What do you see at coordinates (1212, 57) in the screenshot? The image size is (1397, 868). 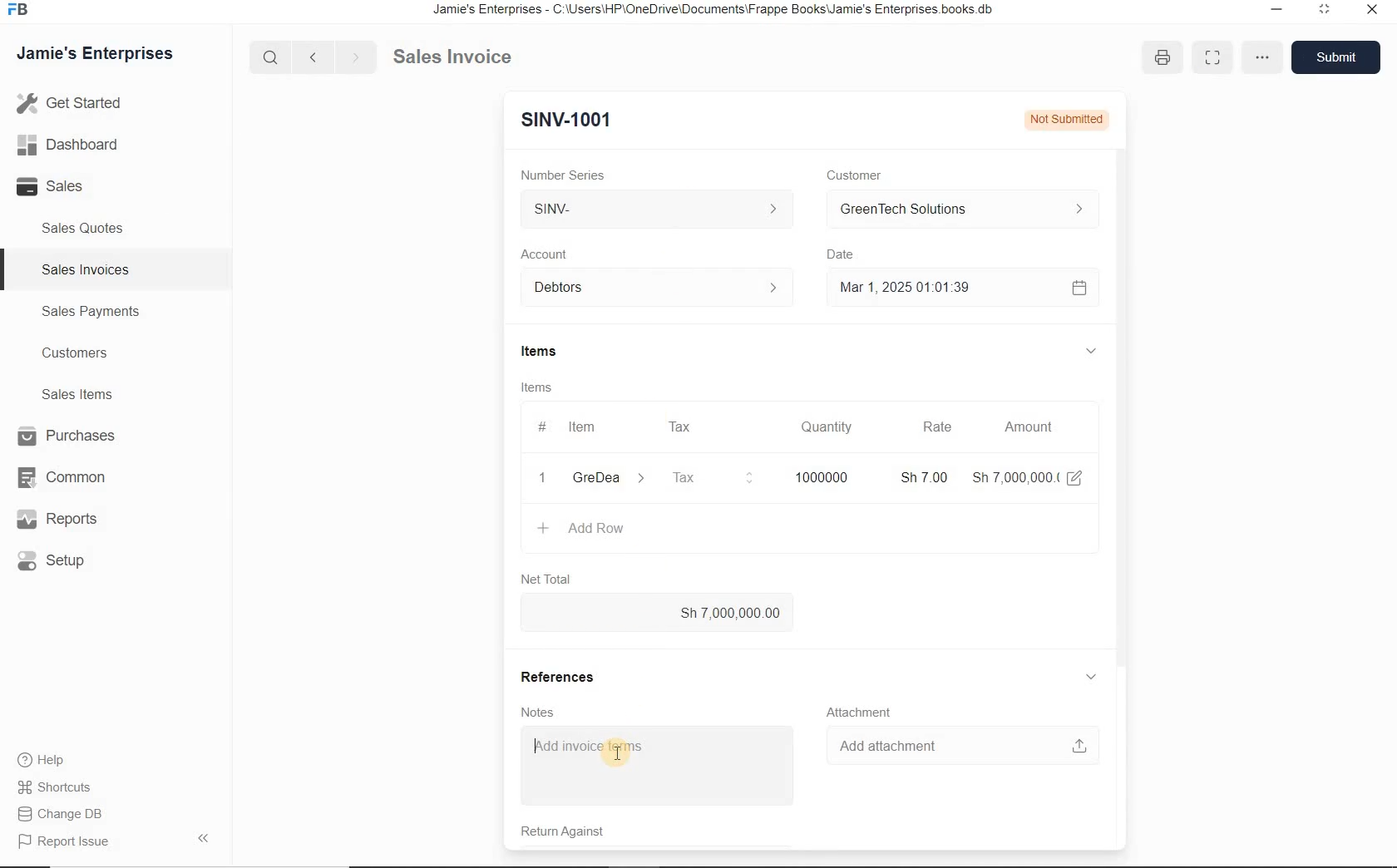 I see `full screen` at bounding box center [1212, 57].